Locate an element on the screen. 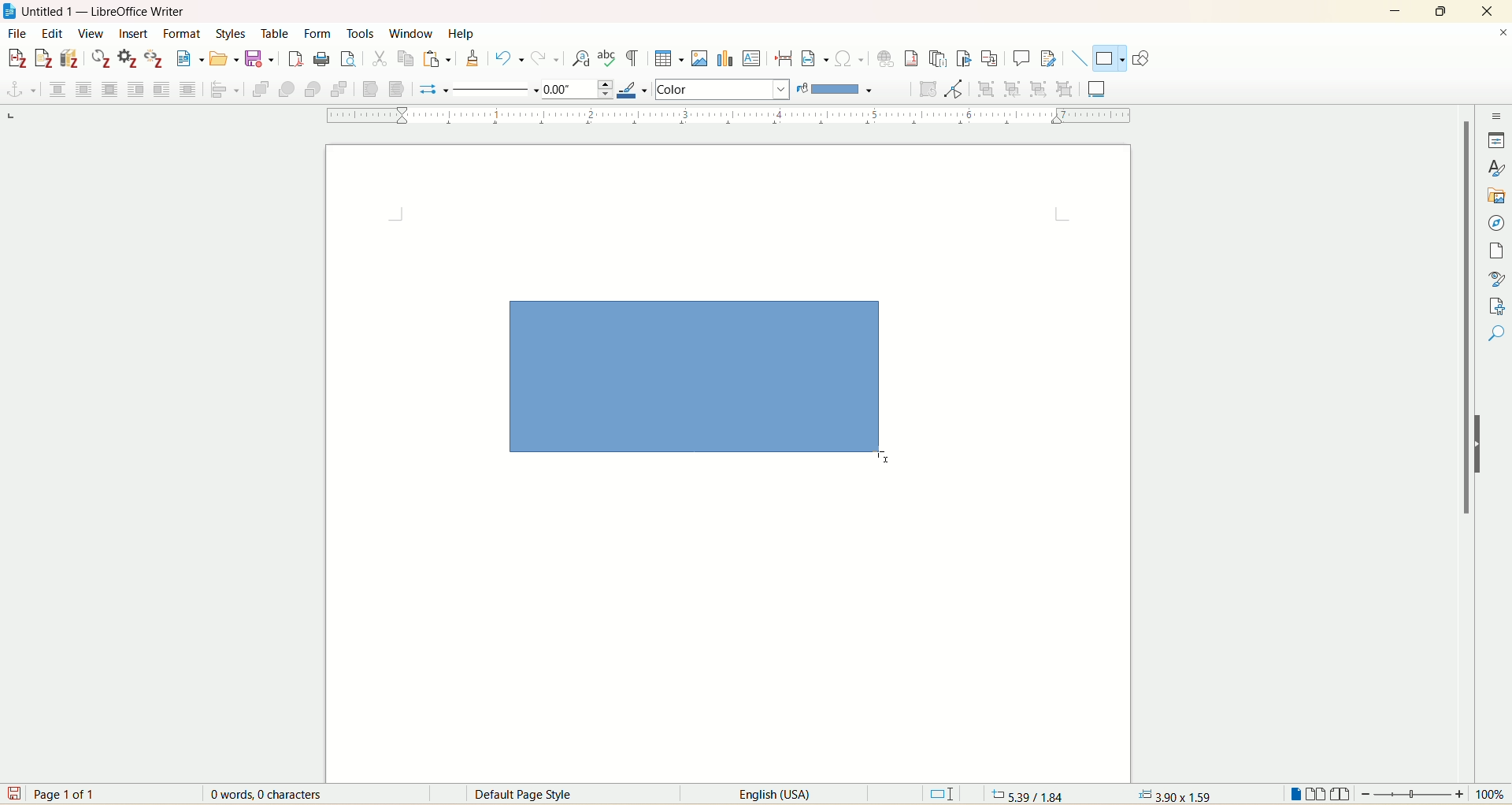 This screenshot has height=805, width=1512. document name is located at coordinates (112, 12).